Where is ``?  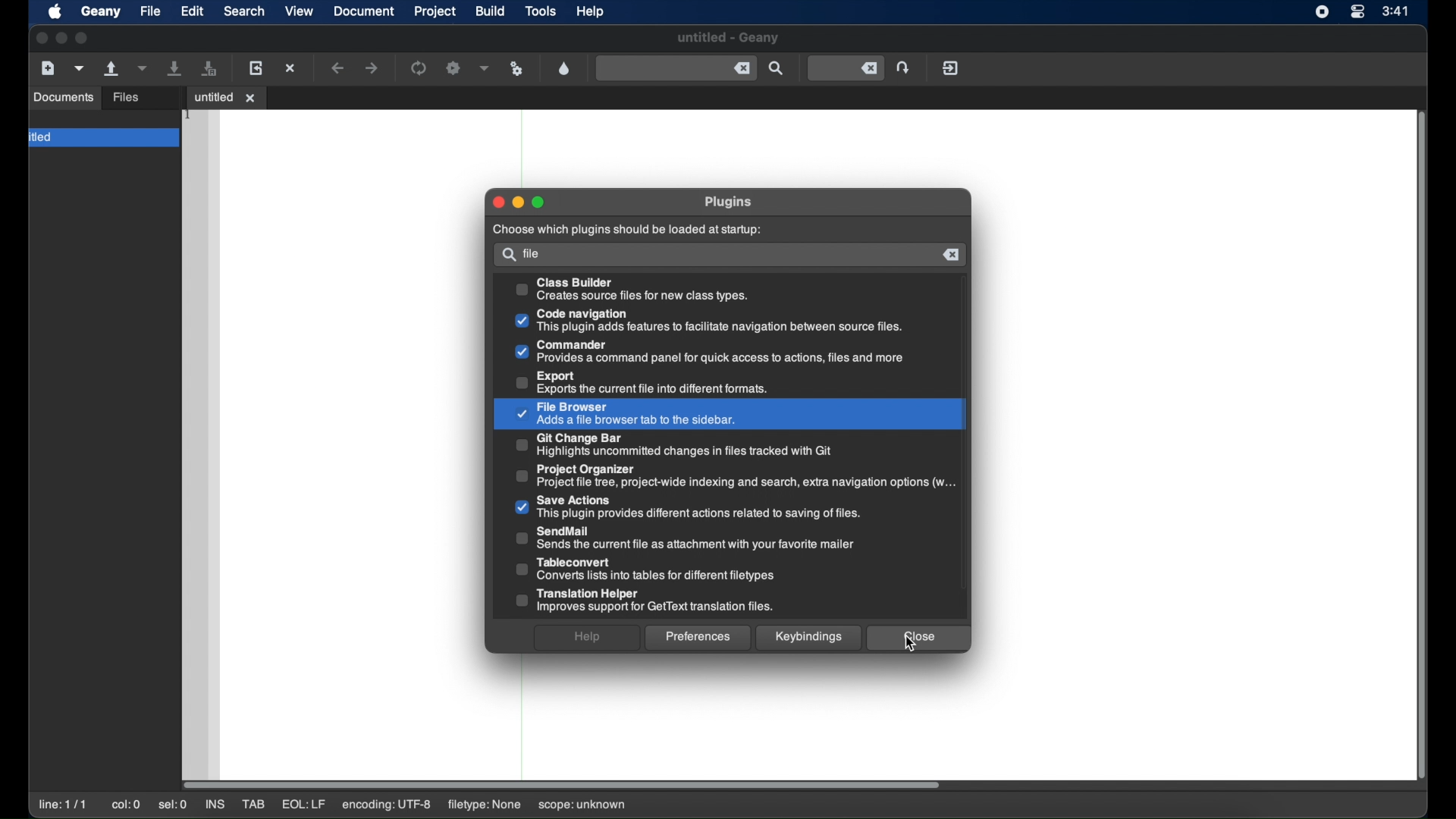  is located at coordinates (629, 231).